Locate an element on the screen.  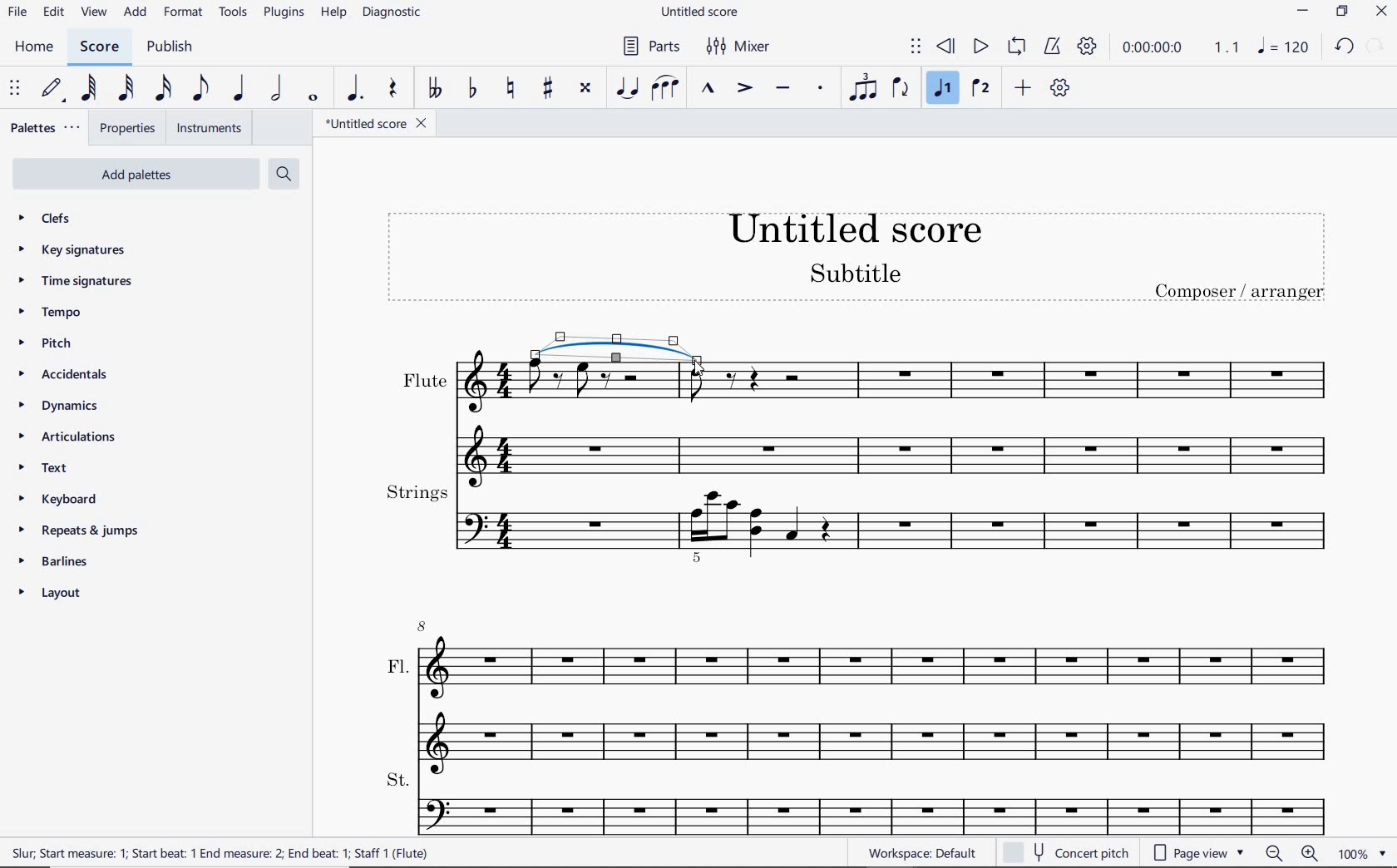
score description is located at coordinates (220, 852).